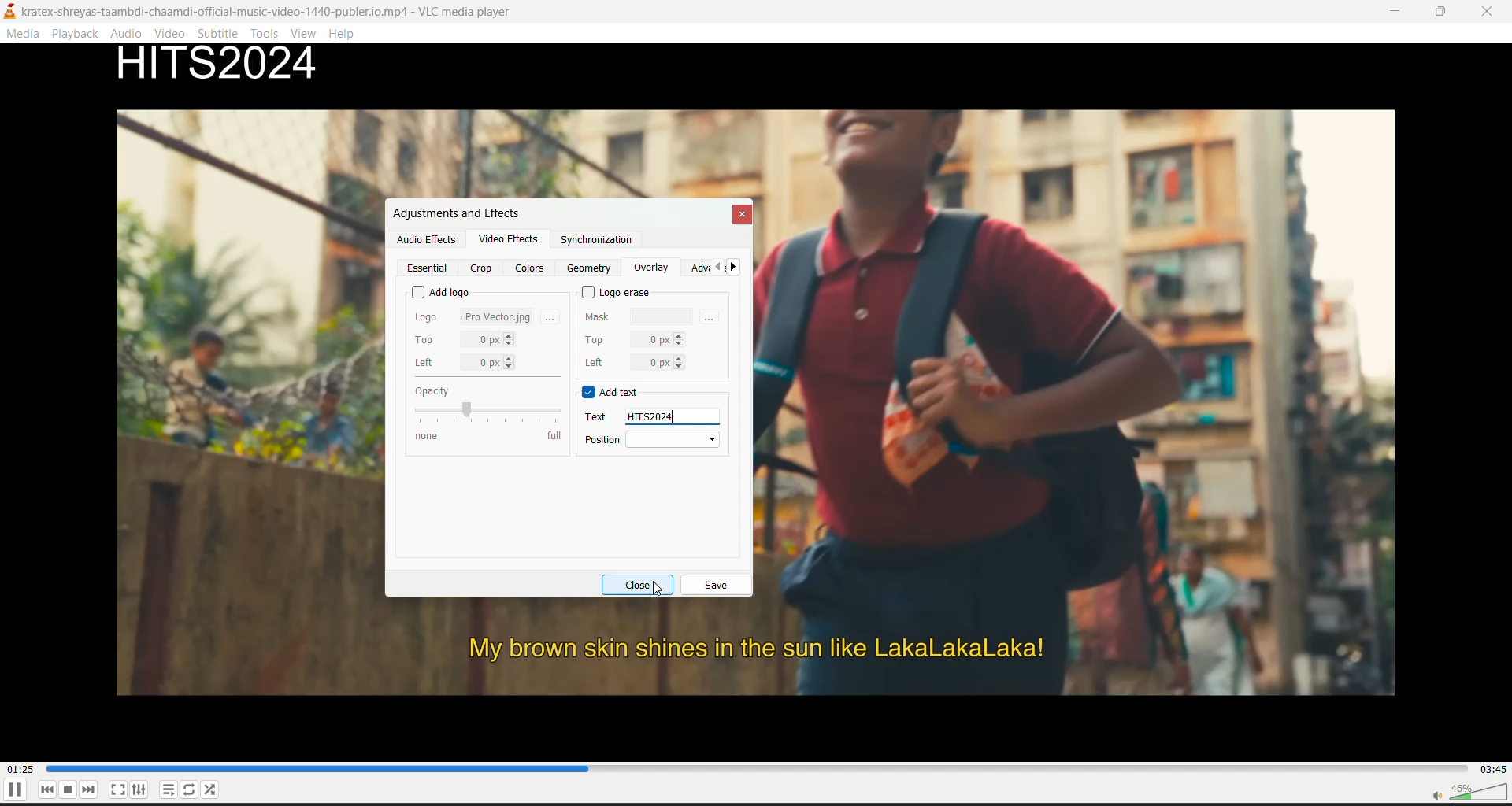  I want to click on logo, so click(474, 315).